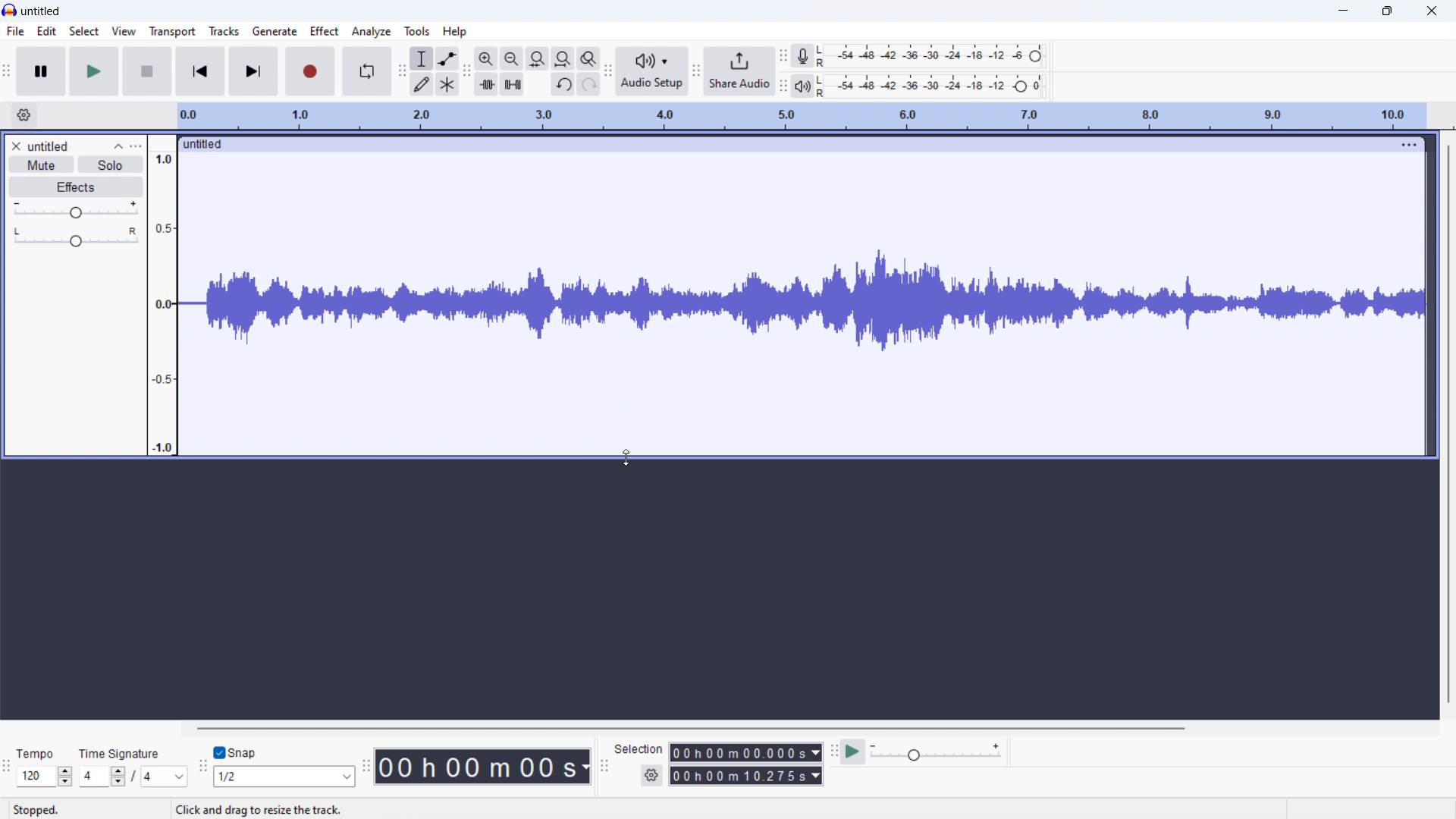 This screenshot has height=819, width=1456. I want to click on track control panel menu, so click(136, 146).